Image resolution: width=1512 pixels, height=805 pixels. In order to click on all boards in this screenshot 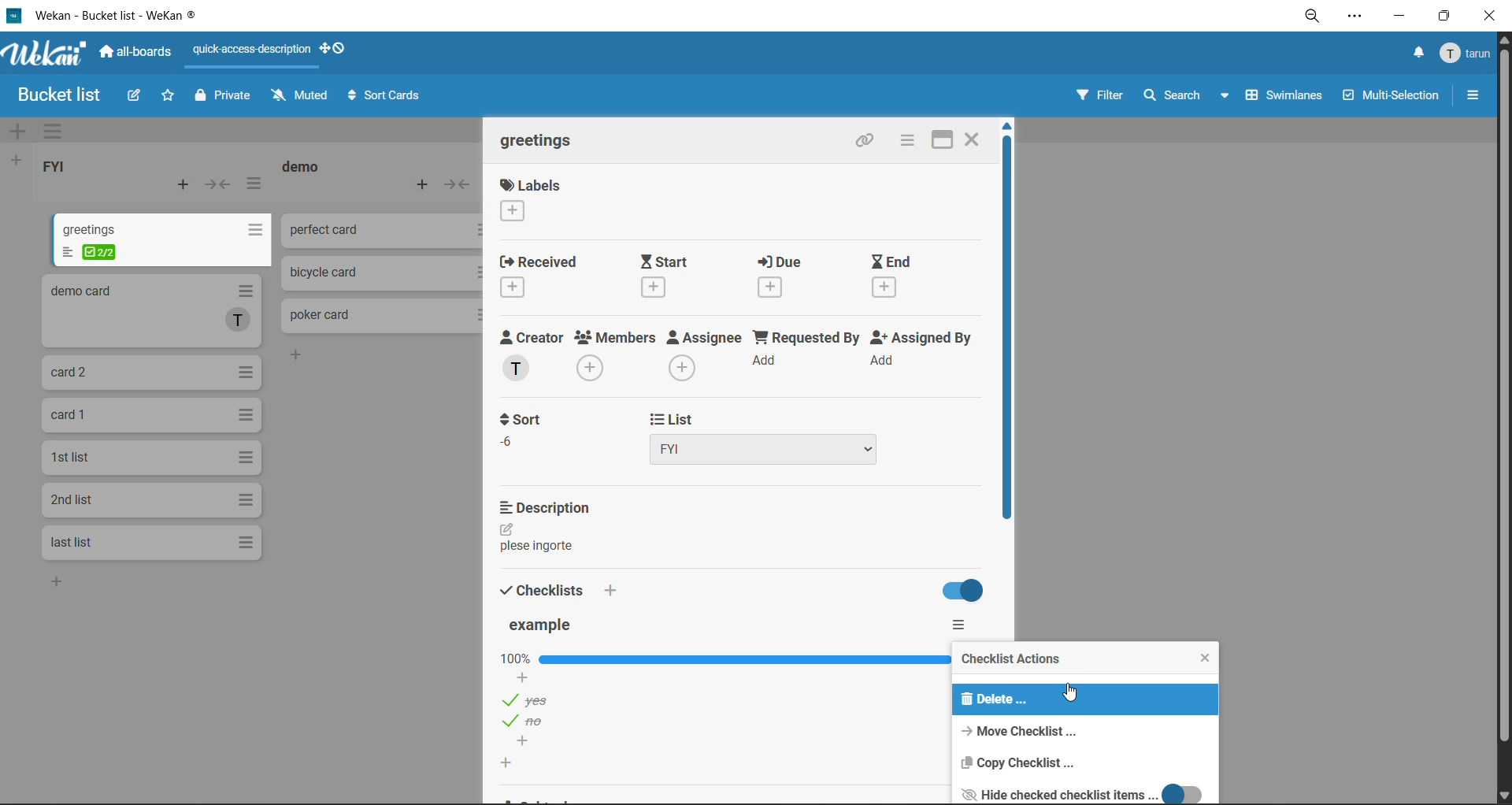, I will do `click(142, 55)`.